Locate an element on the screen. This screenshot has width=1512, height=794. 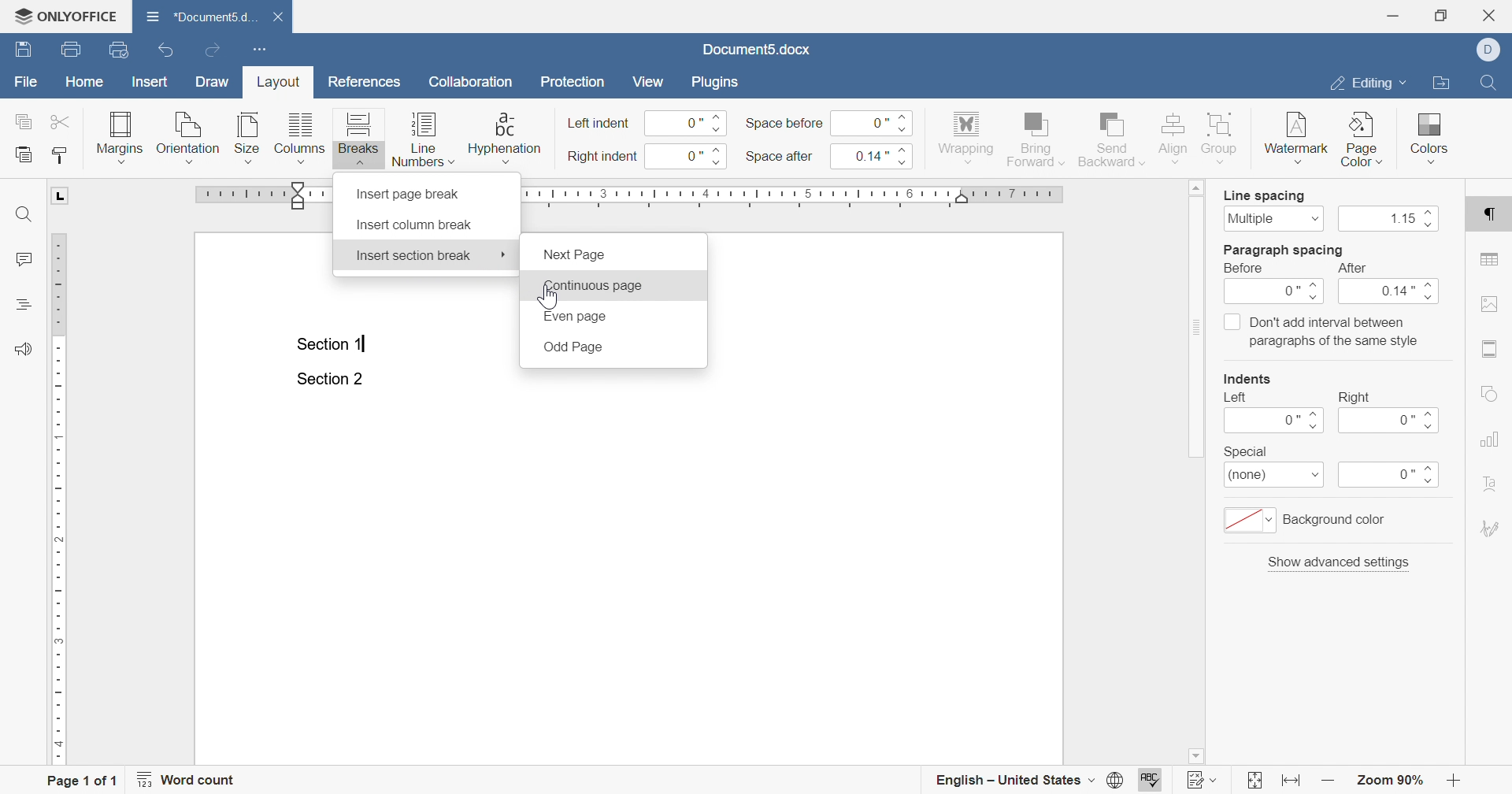
cursor is located at coordinates (550, 297).